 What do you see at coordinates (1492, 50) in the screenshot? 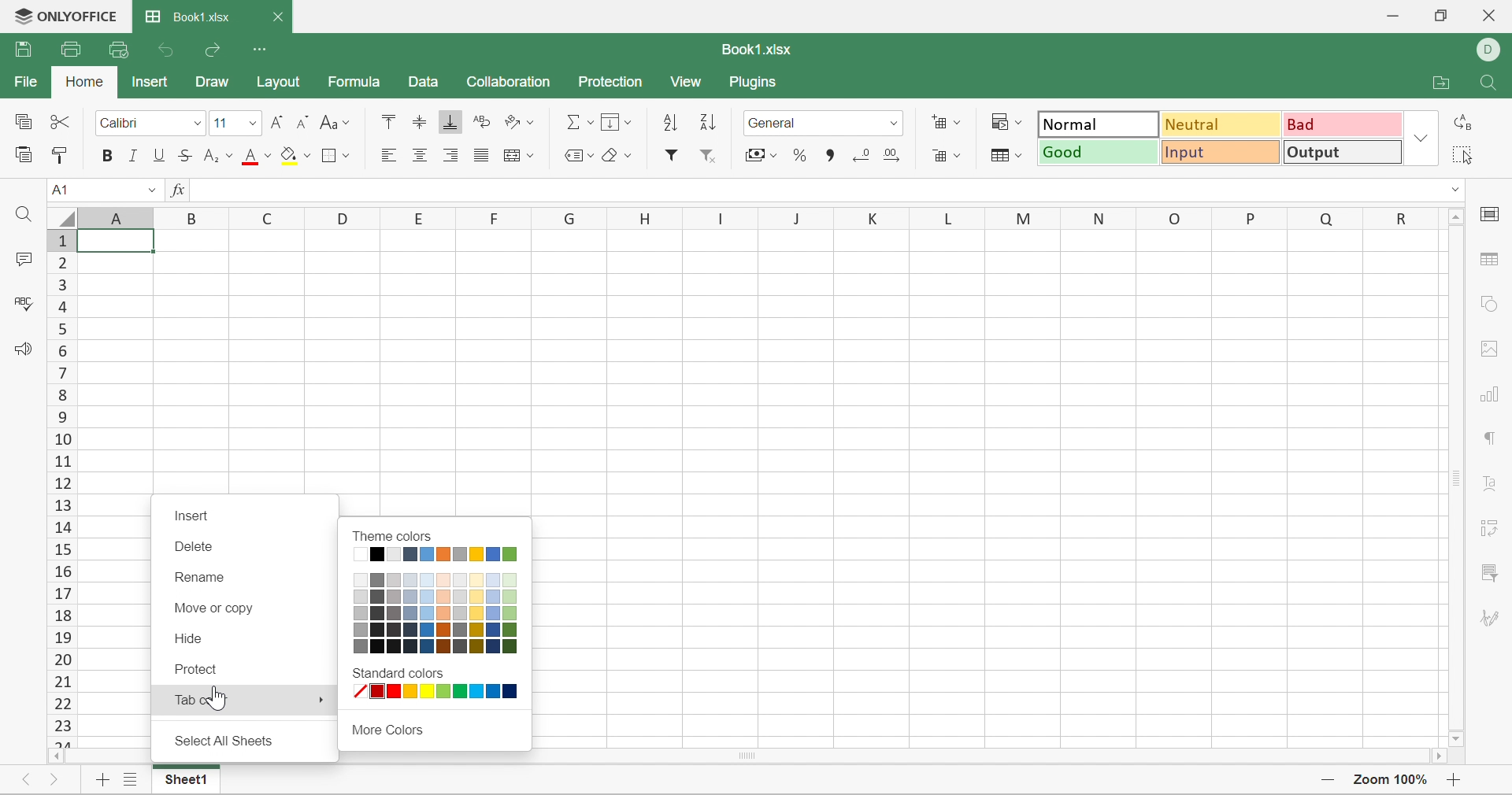
I see `DELL` at bounding box center [1492, 50].